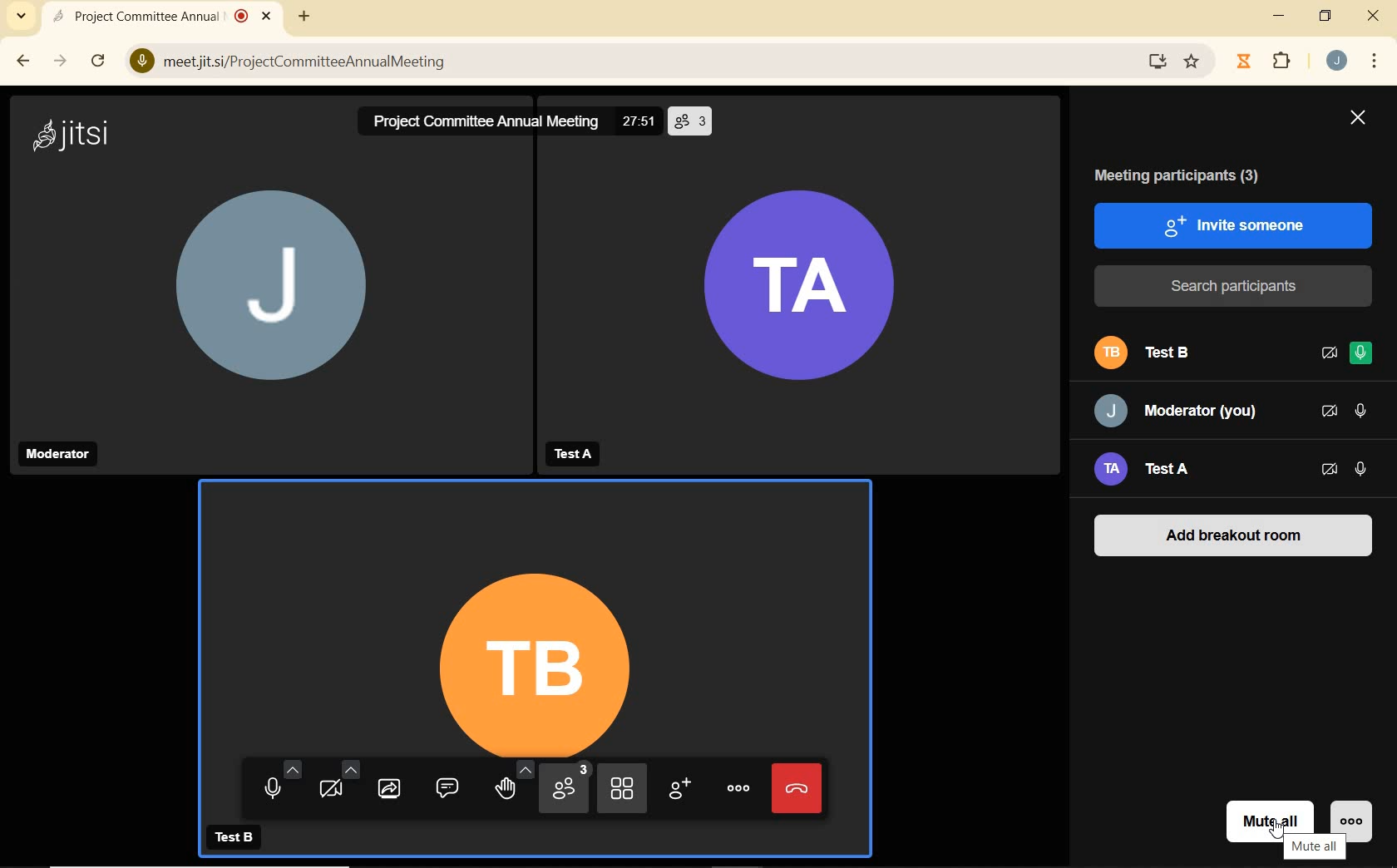 Image resolution: width=1397 pixels, height=868 pixels. Describe the element at coordinates (1339, 62) in the screenshot. I see `ACCOUNT` at that location.